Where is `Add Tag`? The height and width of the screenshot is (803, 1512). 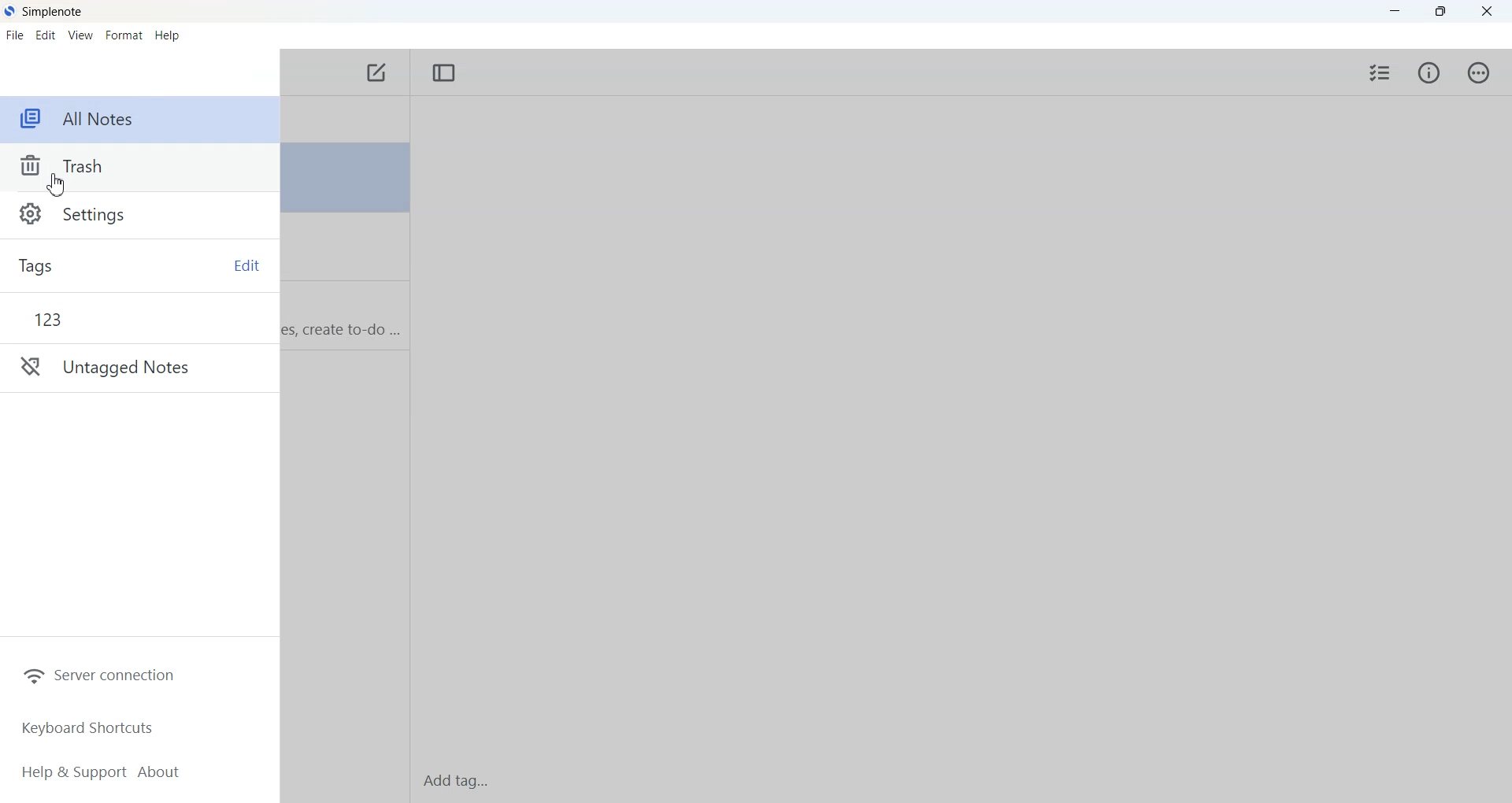
Add Tag is located at coordinates (456, 780).